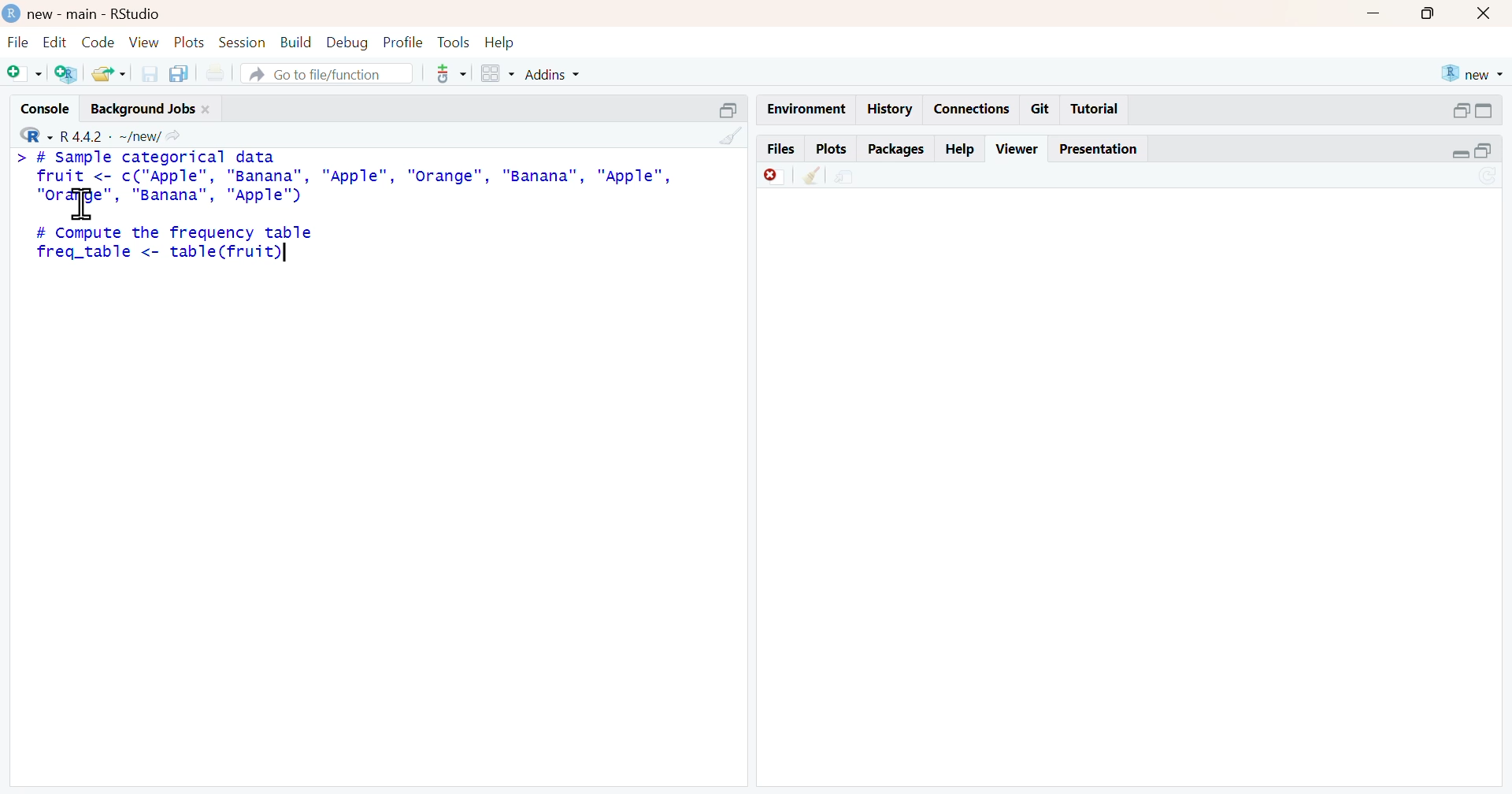 This screenshot has height=794, width=1512. What do you see at coordinates (1455, 154) in the screenshot?
I see `expand` at bounding box center [1455, 154].